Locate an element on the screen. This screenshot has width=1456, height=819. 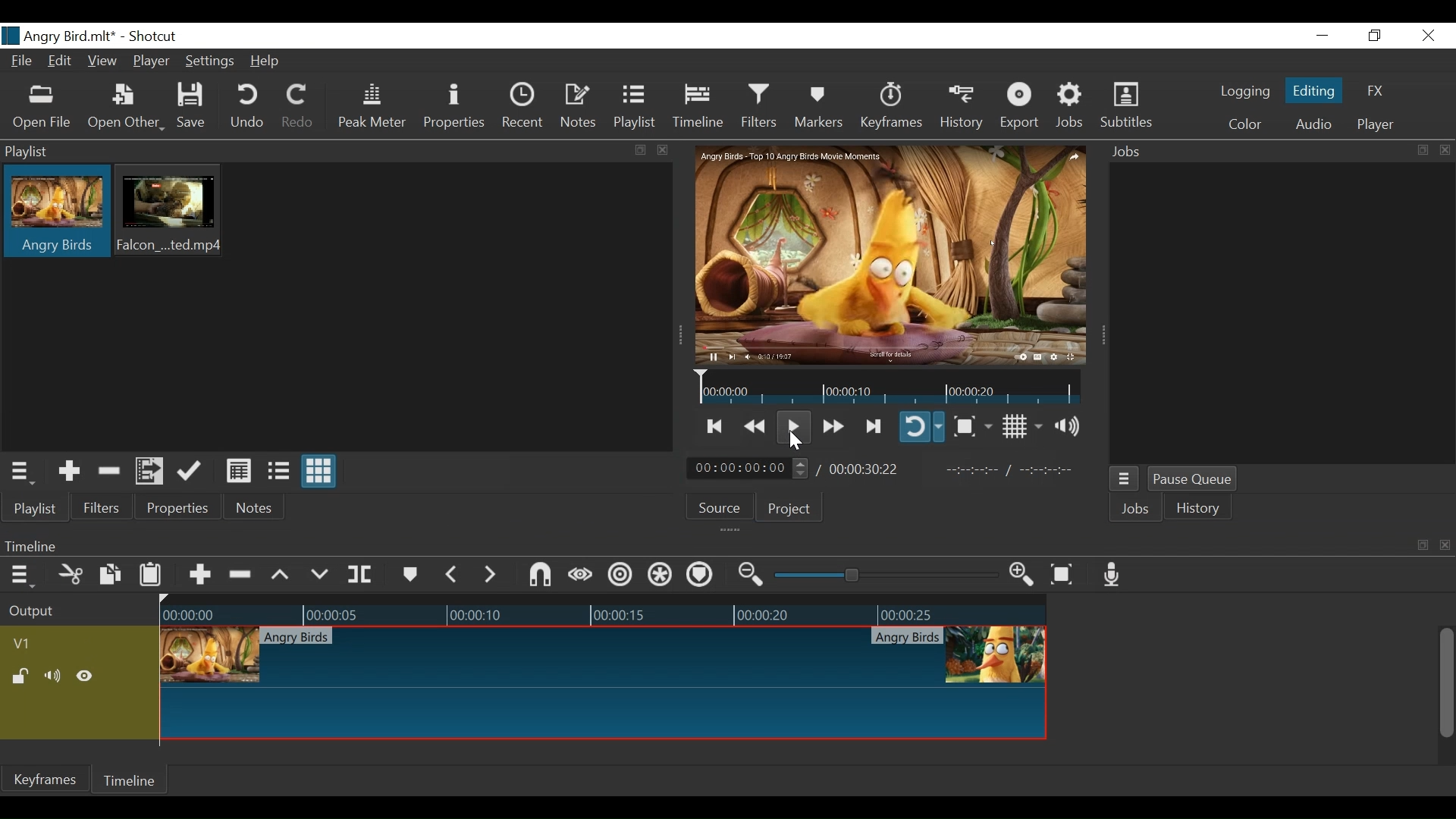
Keyframes is located at coordinates (891, 107).